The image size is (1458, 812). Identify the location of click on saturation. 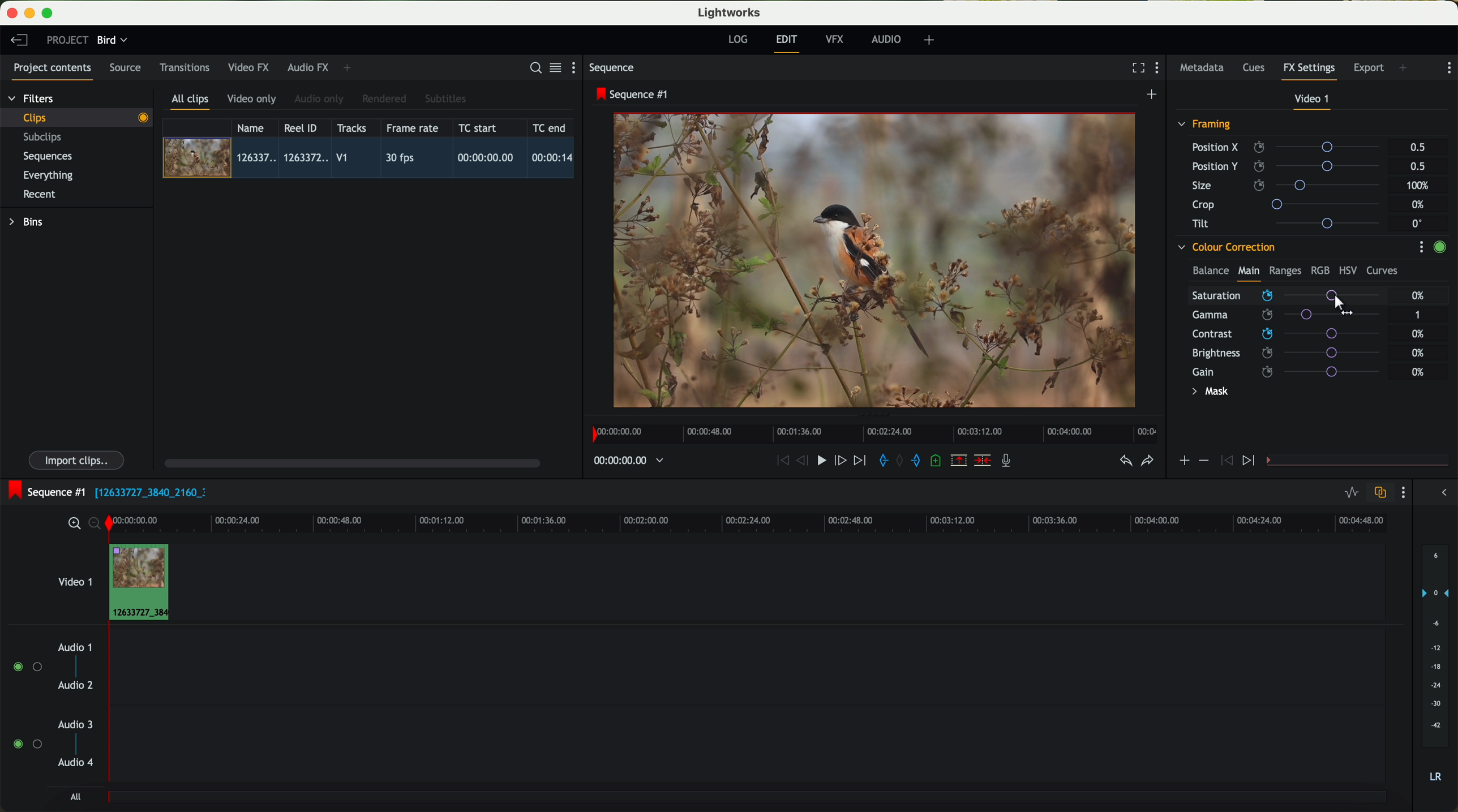
(1280, 316).